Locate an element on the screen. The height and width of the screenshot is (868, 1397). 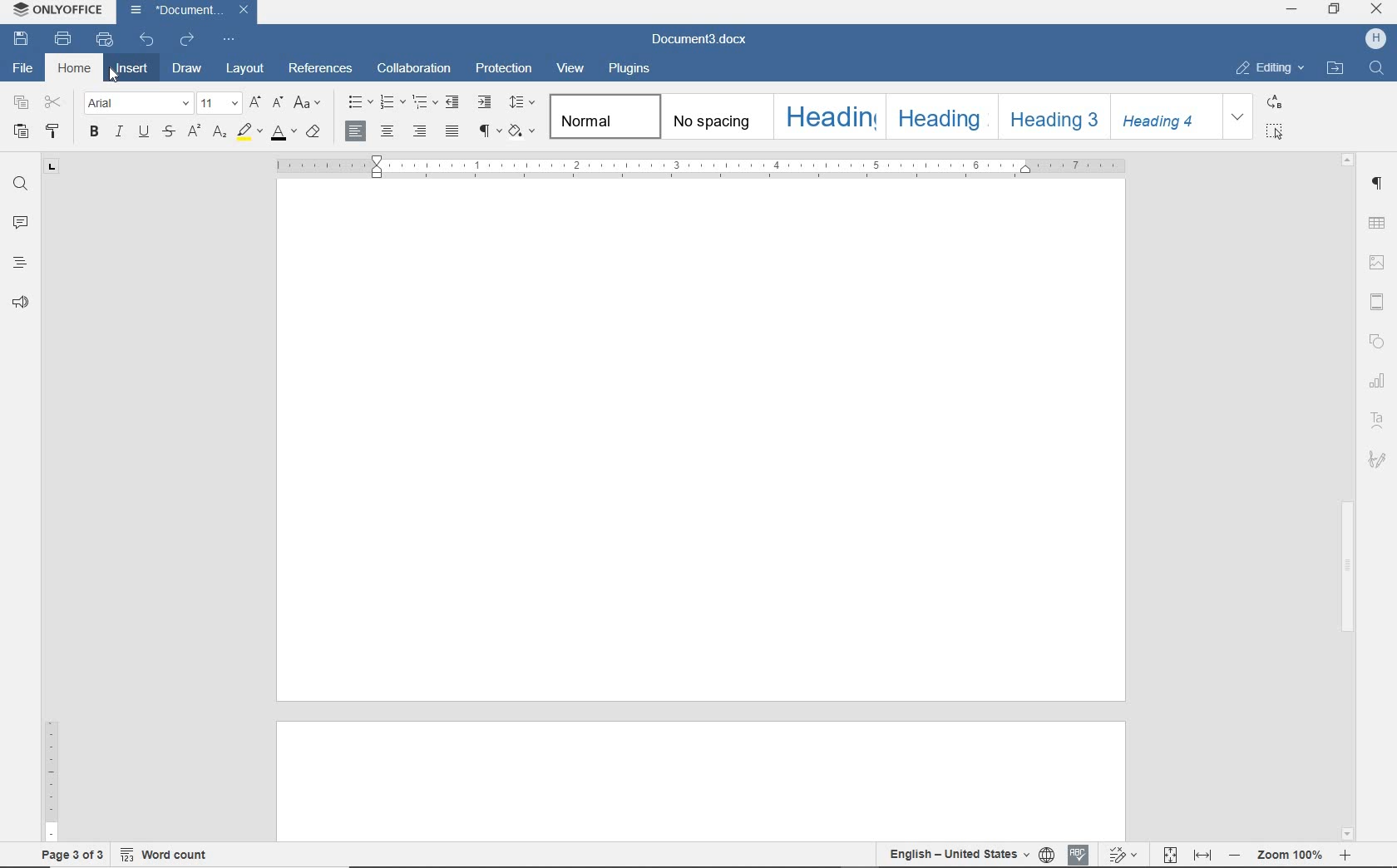
NUMBERING is located at coordinates (391, 103).